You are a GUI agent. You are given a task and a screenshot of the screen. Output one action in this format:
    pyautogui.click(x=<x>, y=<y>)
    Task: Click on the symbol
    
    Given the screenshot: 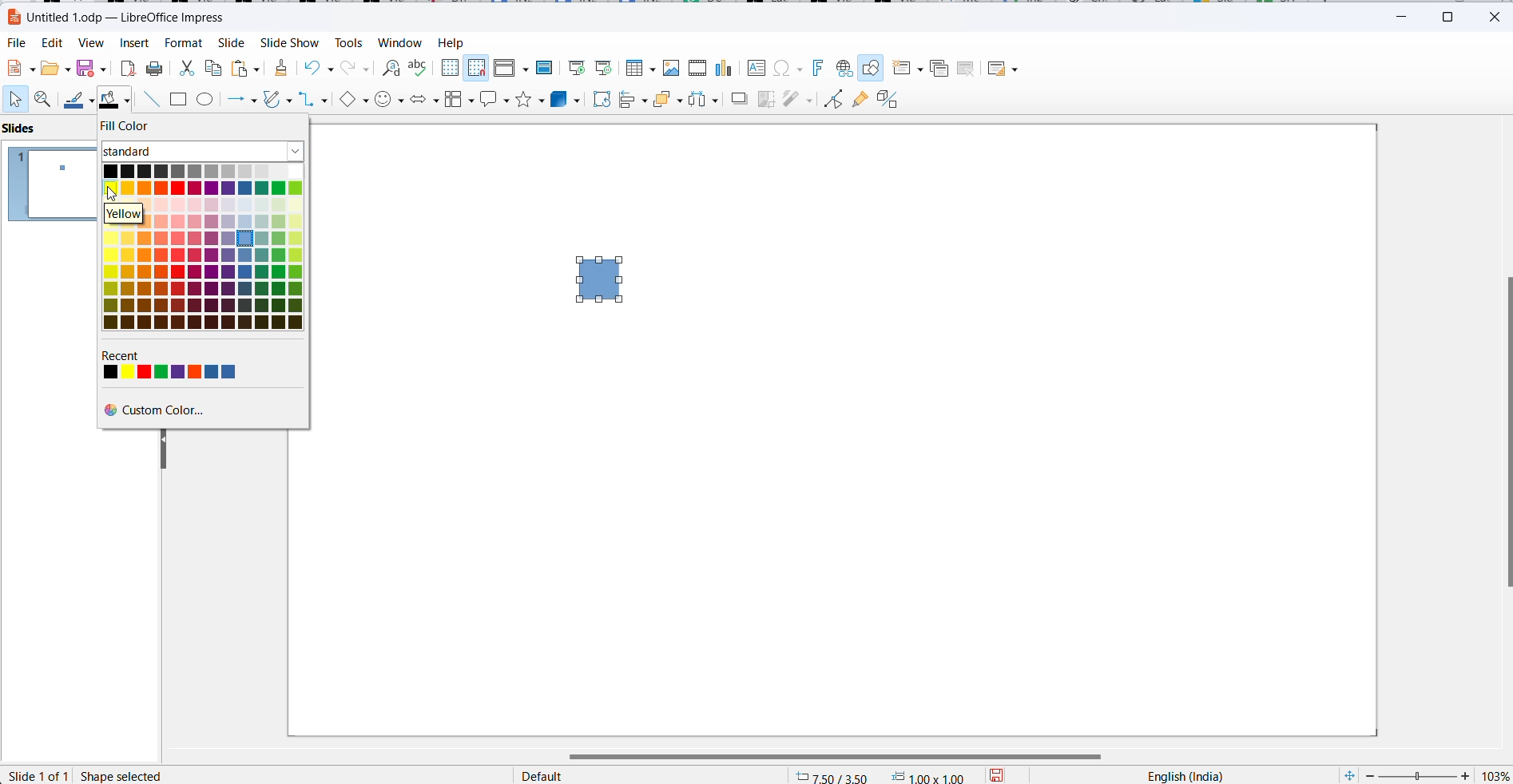 What is the action you would take?
    pyautogui.click(x=390, y=101)
    